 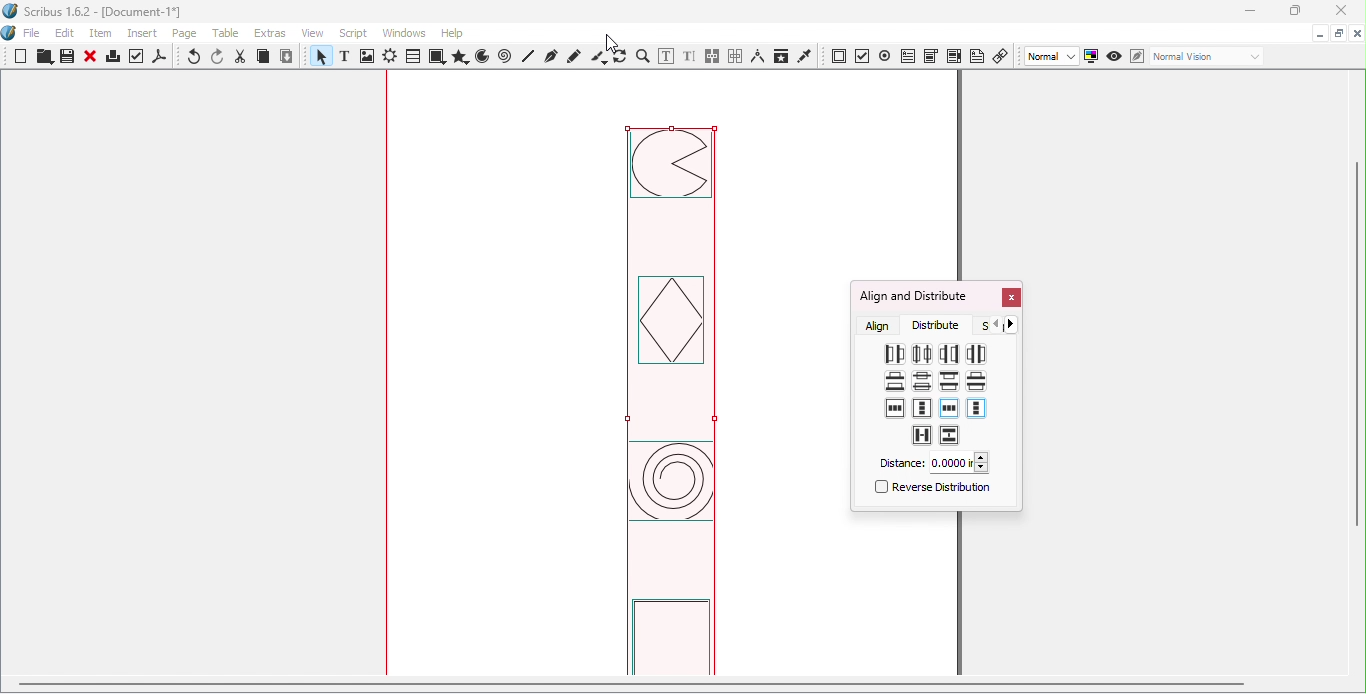 I want to click on Align, so click(x=879, y=325).